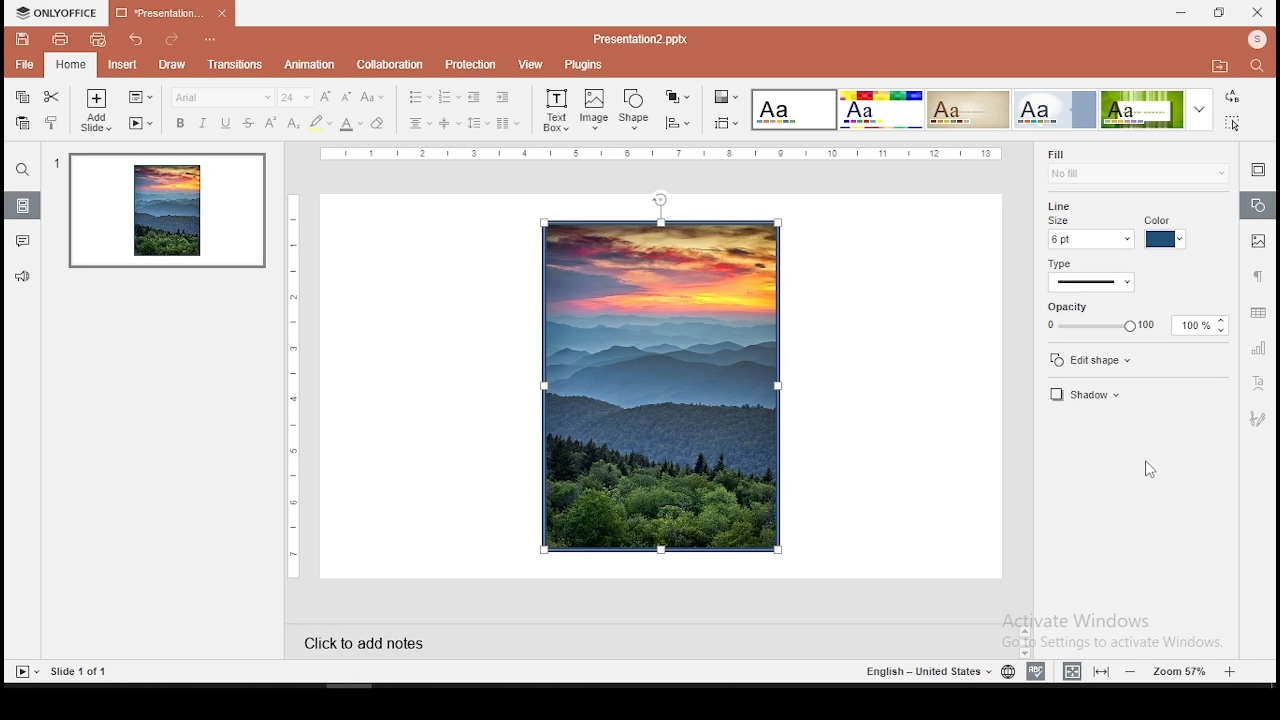 This screenshot has height=720, width=1280. What do you see at coordinates (1166, 231) in the screenshot?
I see `line color` at bounding box center [1166, 231].